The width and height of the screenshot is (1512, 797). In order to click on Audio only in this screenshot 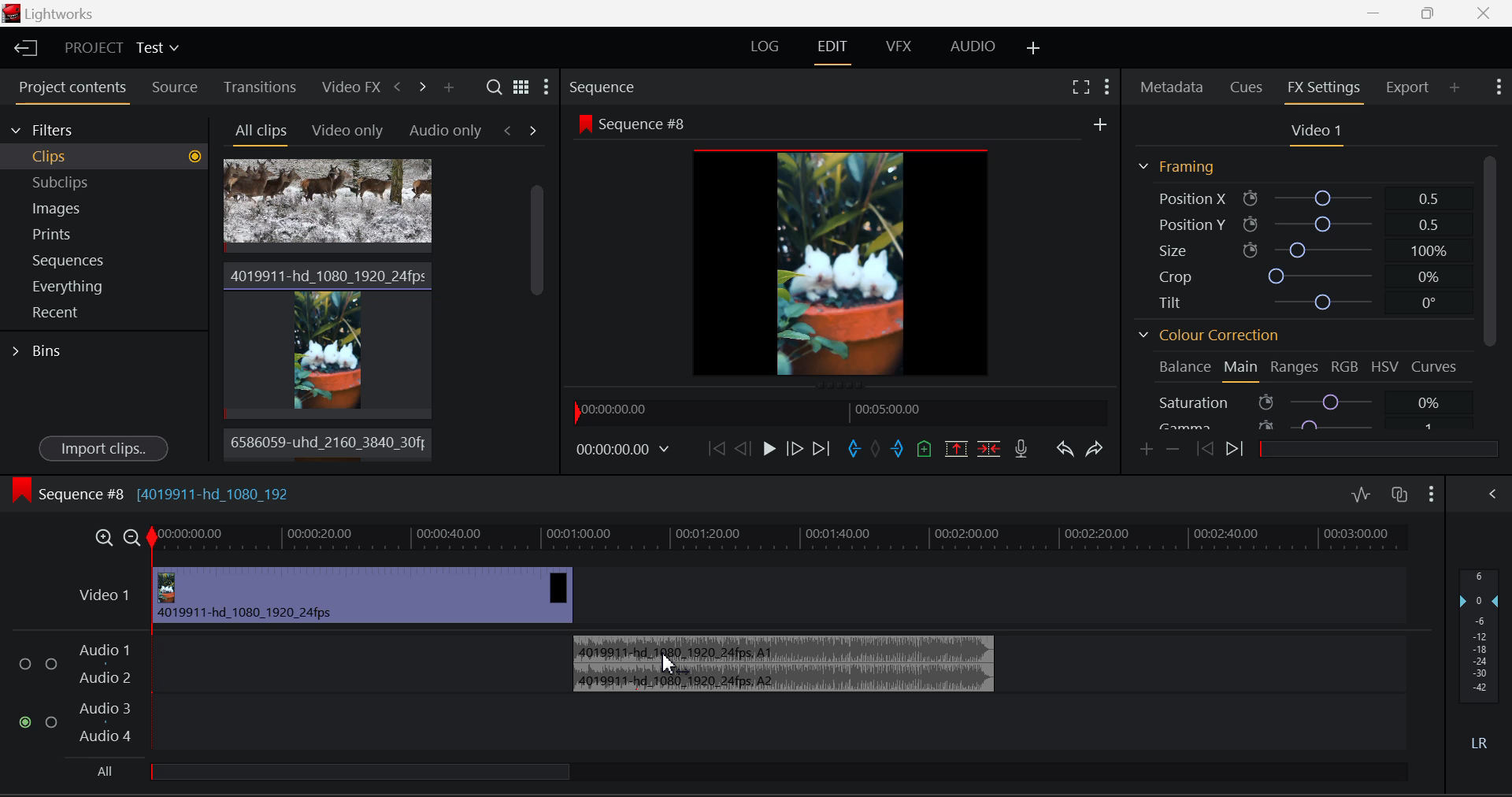, I will do `click(446, 129)`.